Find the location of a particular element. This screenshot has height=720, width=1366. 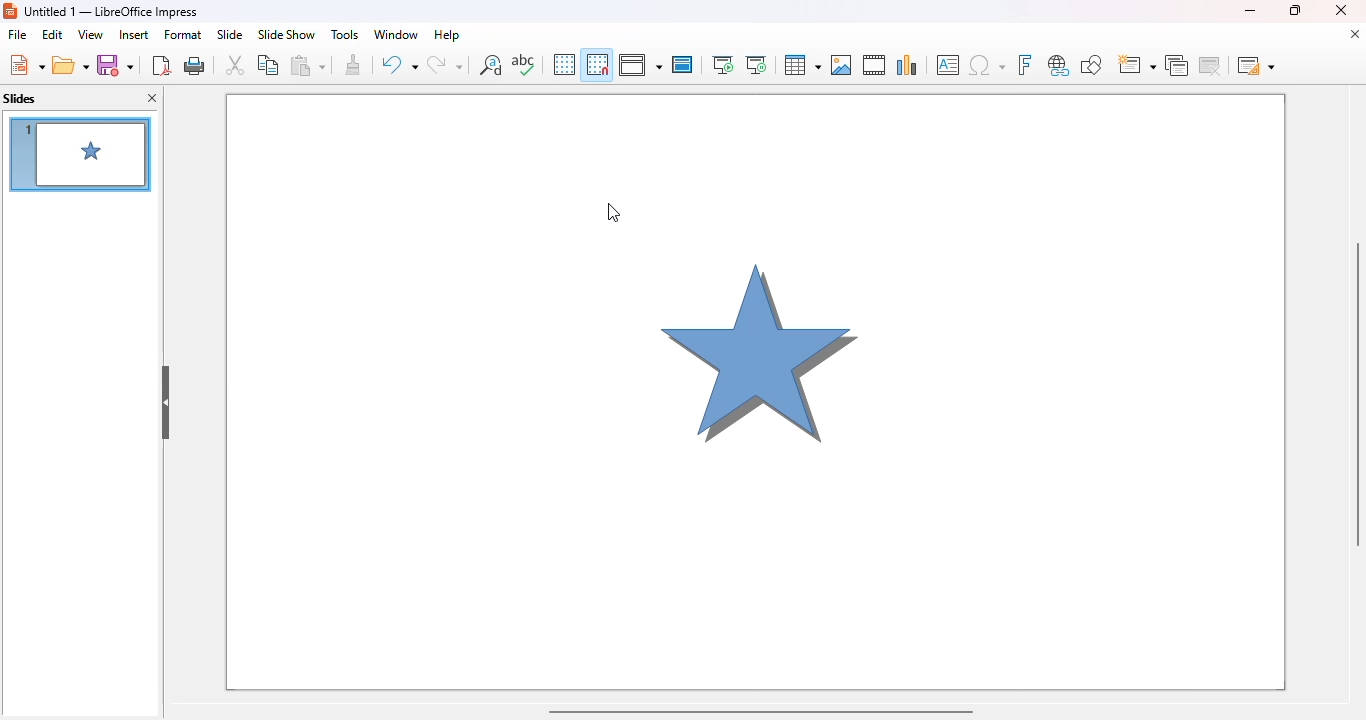

logo is located at coordinates (10, 11).